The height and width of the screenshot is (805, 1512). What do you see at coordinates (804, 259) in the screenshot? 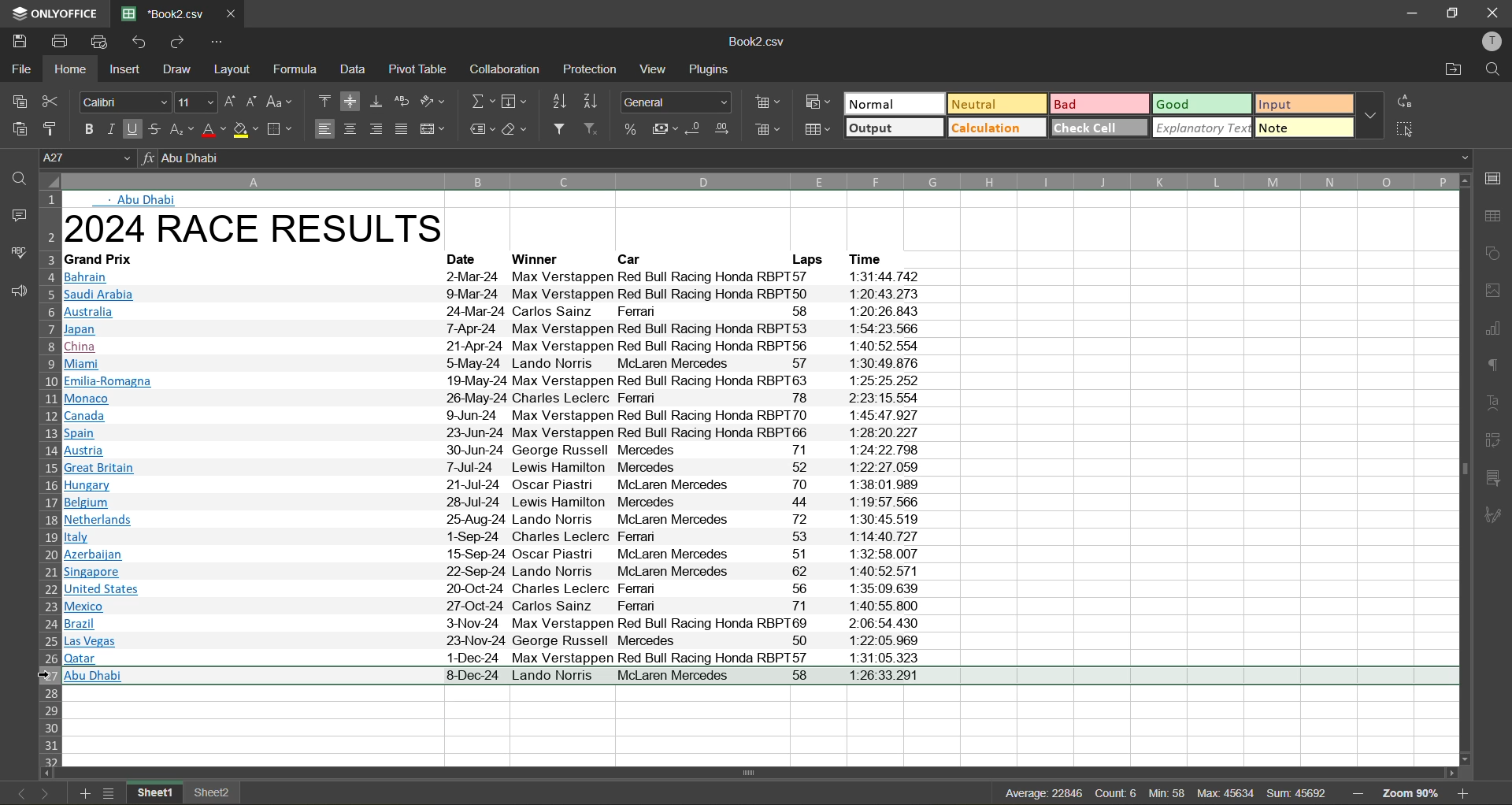
I see `text info` at bounding box center [804, 259].